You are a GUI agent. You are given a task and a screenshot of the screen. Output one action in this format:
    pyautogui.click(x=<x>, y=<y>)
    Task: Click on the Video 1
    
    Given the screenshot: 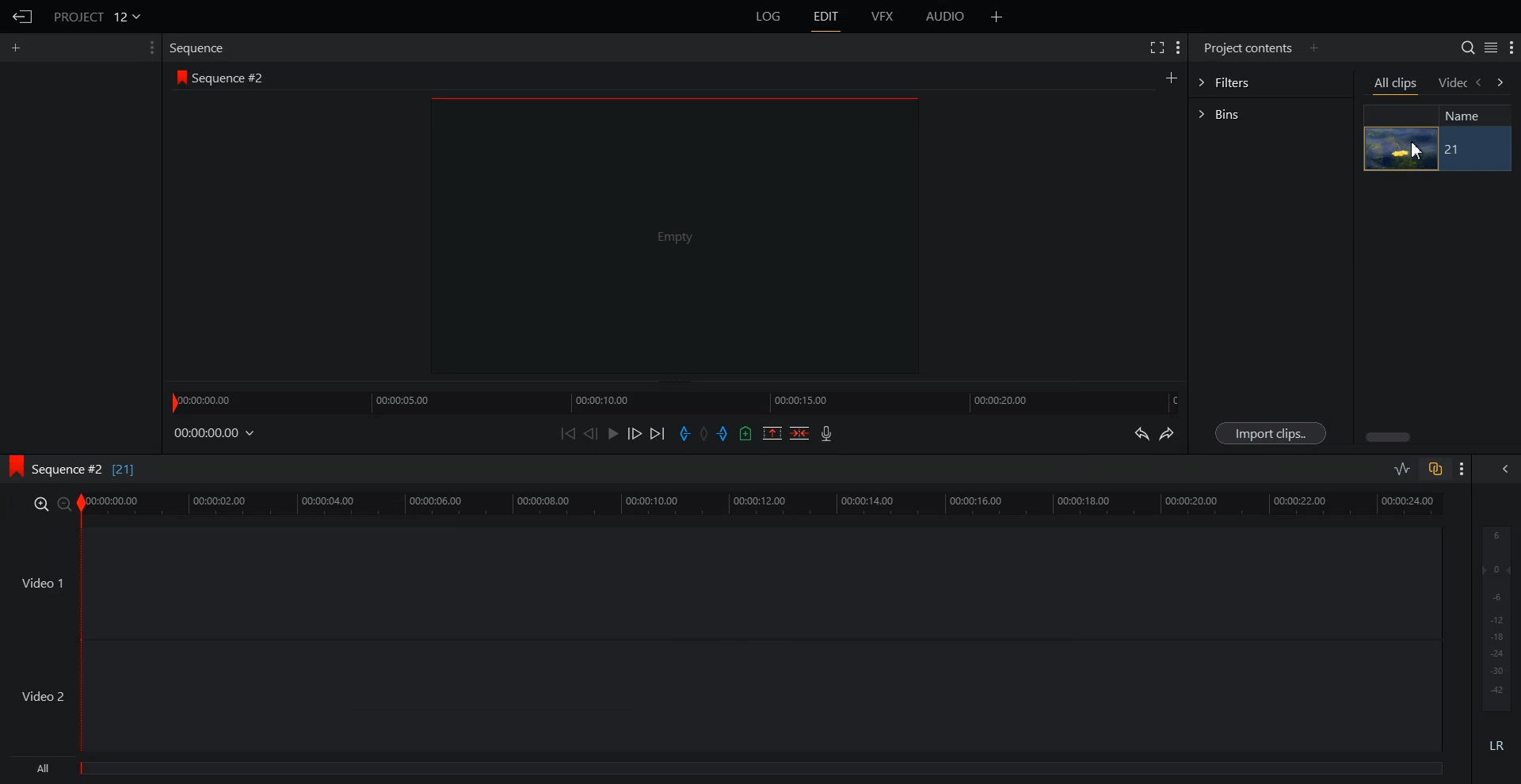 What is the action you would take?
    pyautogui.click(x=723, y=585)
    